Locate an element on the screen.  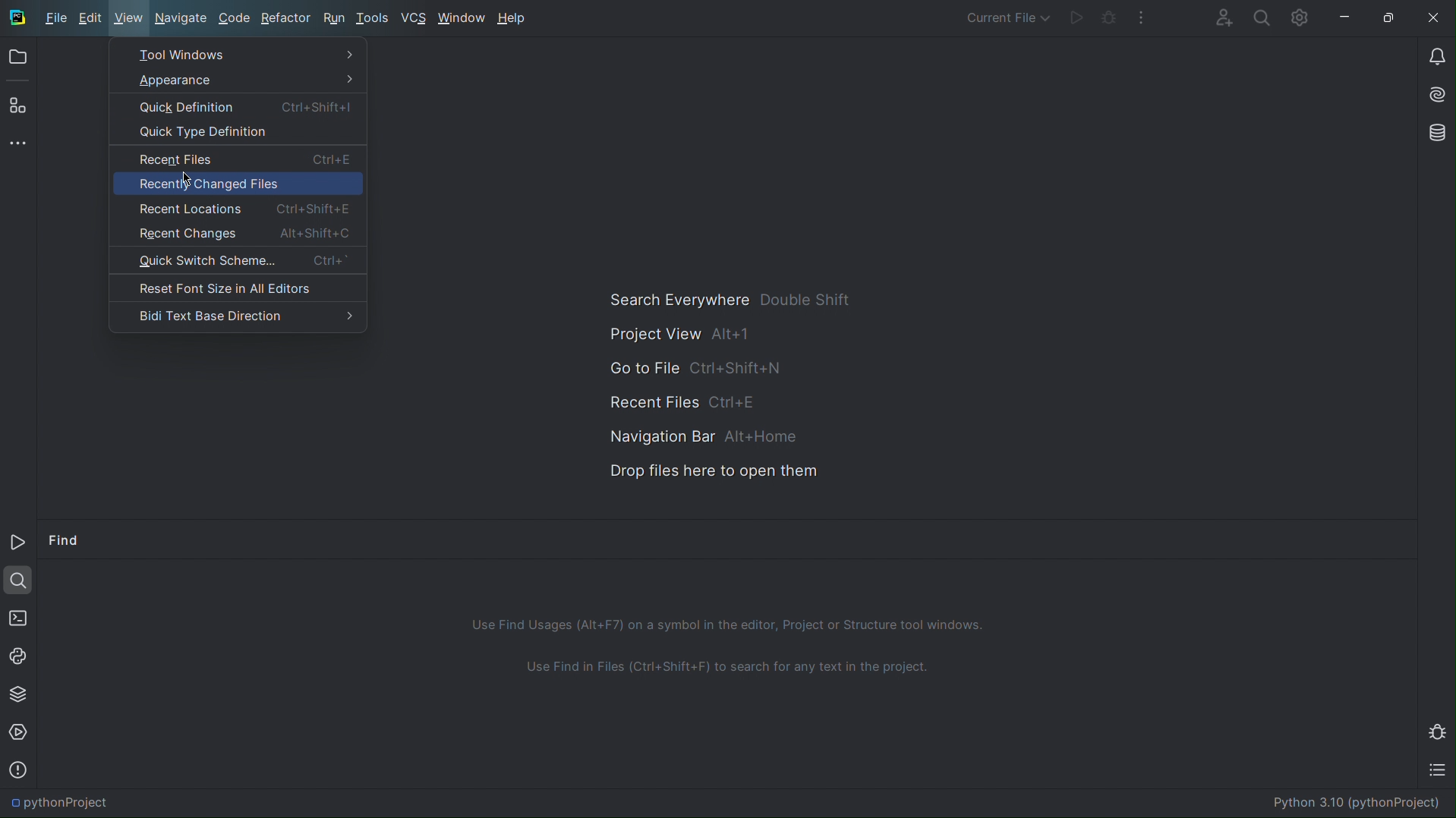
More is located at coordinates (19, 141).